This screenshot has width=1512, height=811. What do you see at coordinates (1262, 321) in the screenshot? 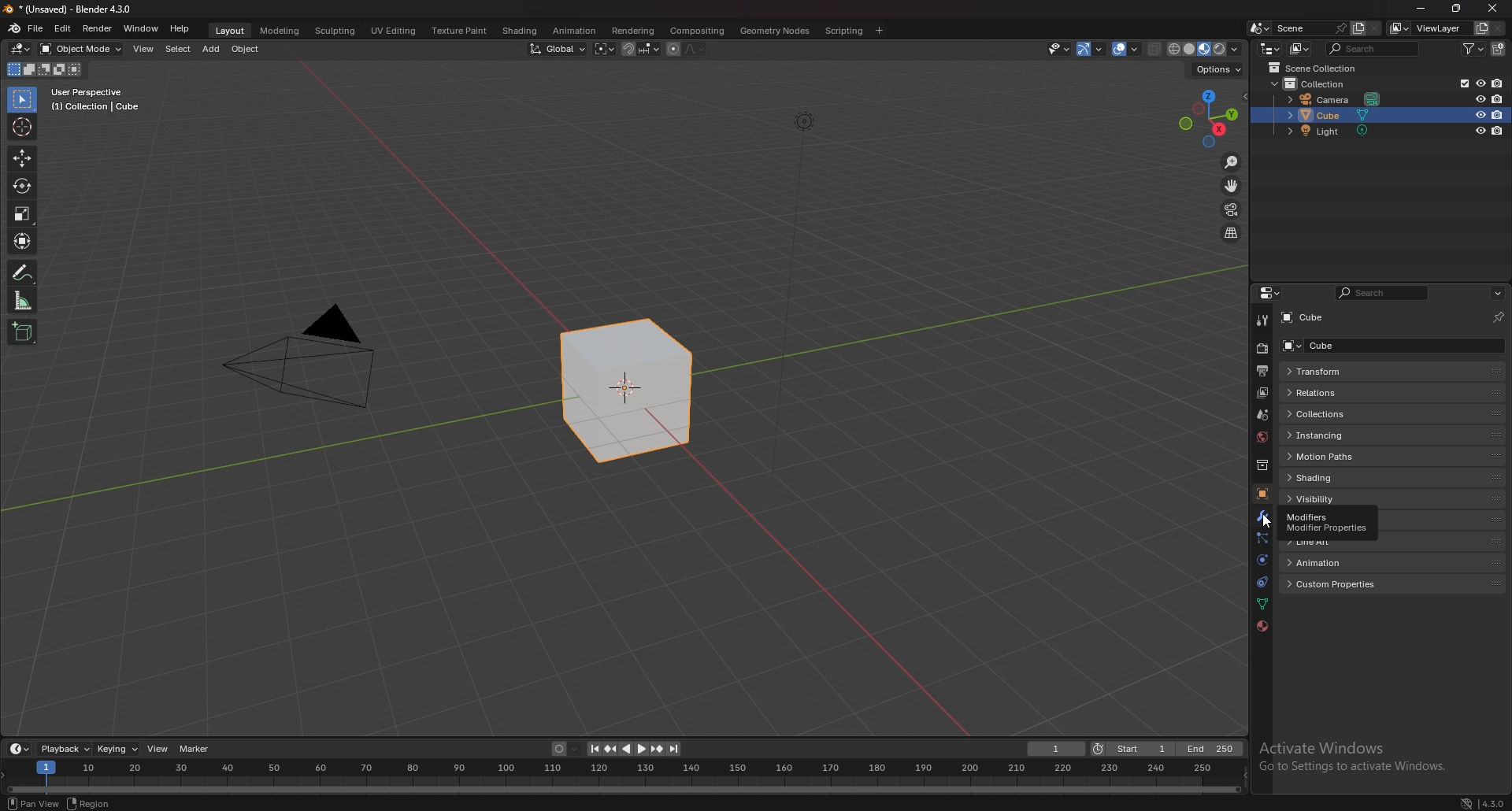
I see `tool` at bounding box center [1262, 321].